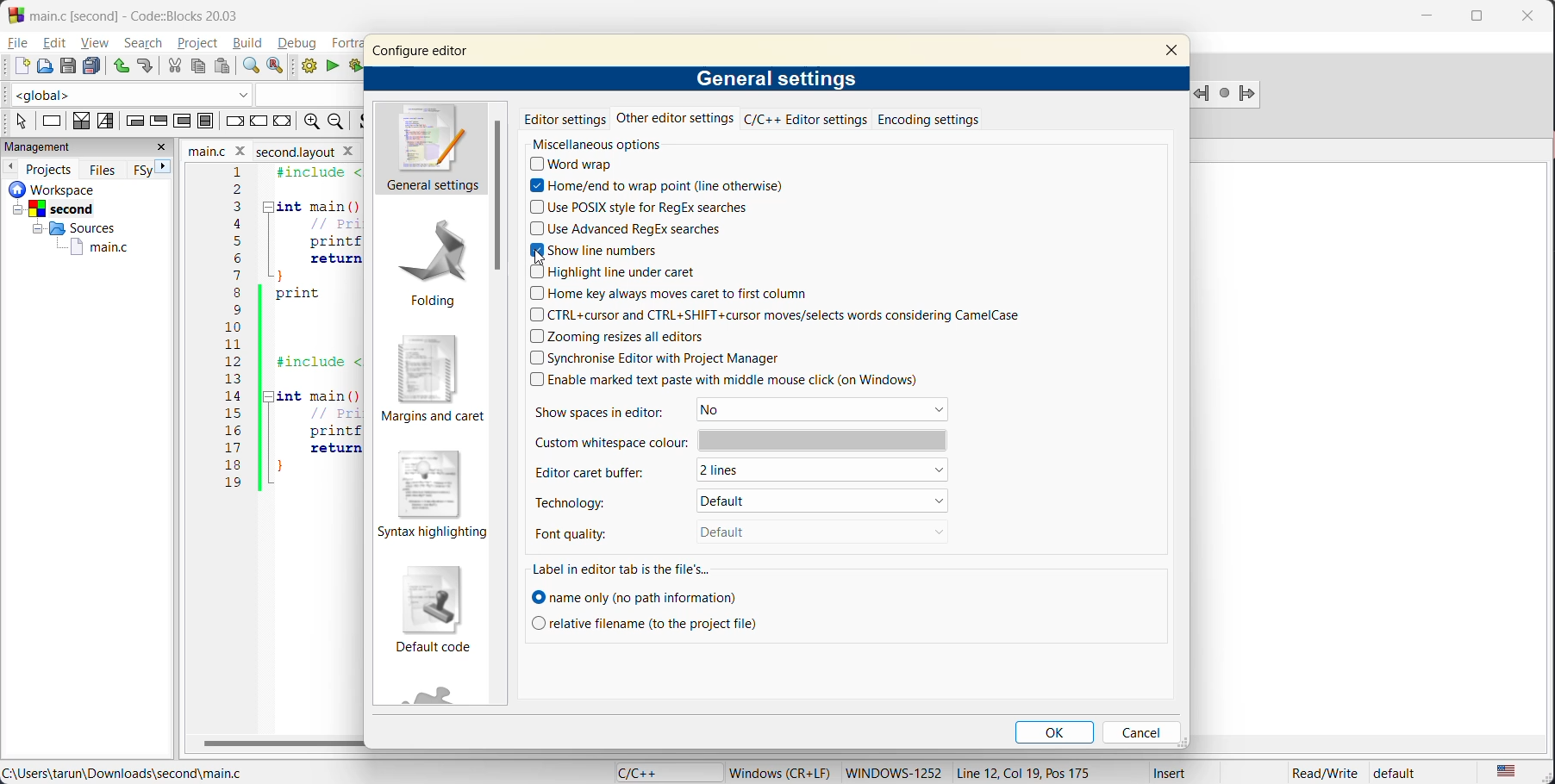 This screenshot has height=784, width=1555. I want to click on projects, so click(50, 169).